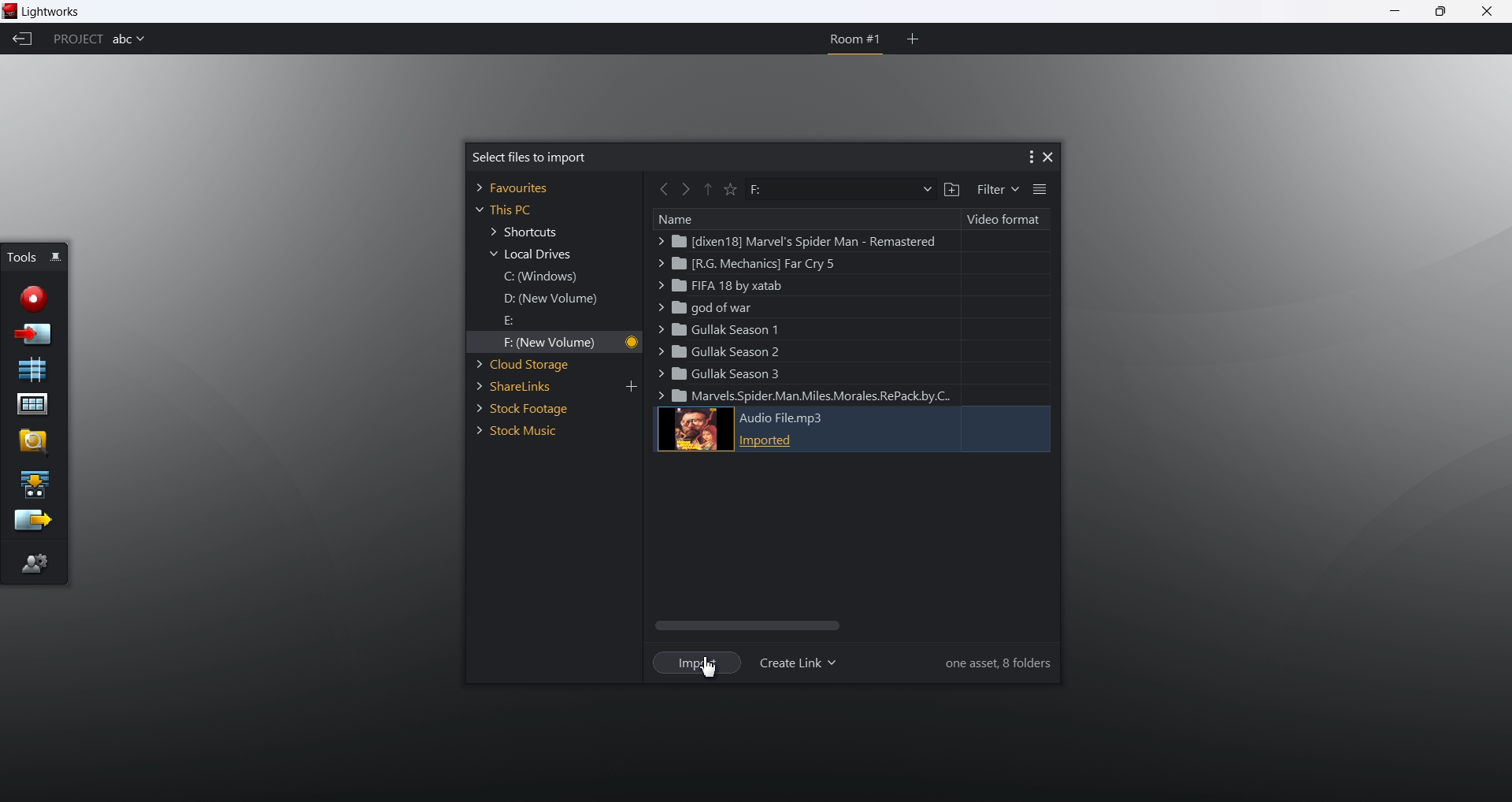 This screenshot has height=802, width=1512. What do you see at coordinates (729, 191) in the screenshot?
I see `favorite` at bounding box center [729, 191].